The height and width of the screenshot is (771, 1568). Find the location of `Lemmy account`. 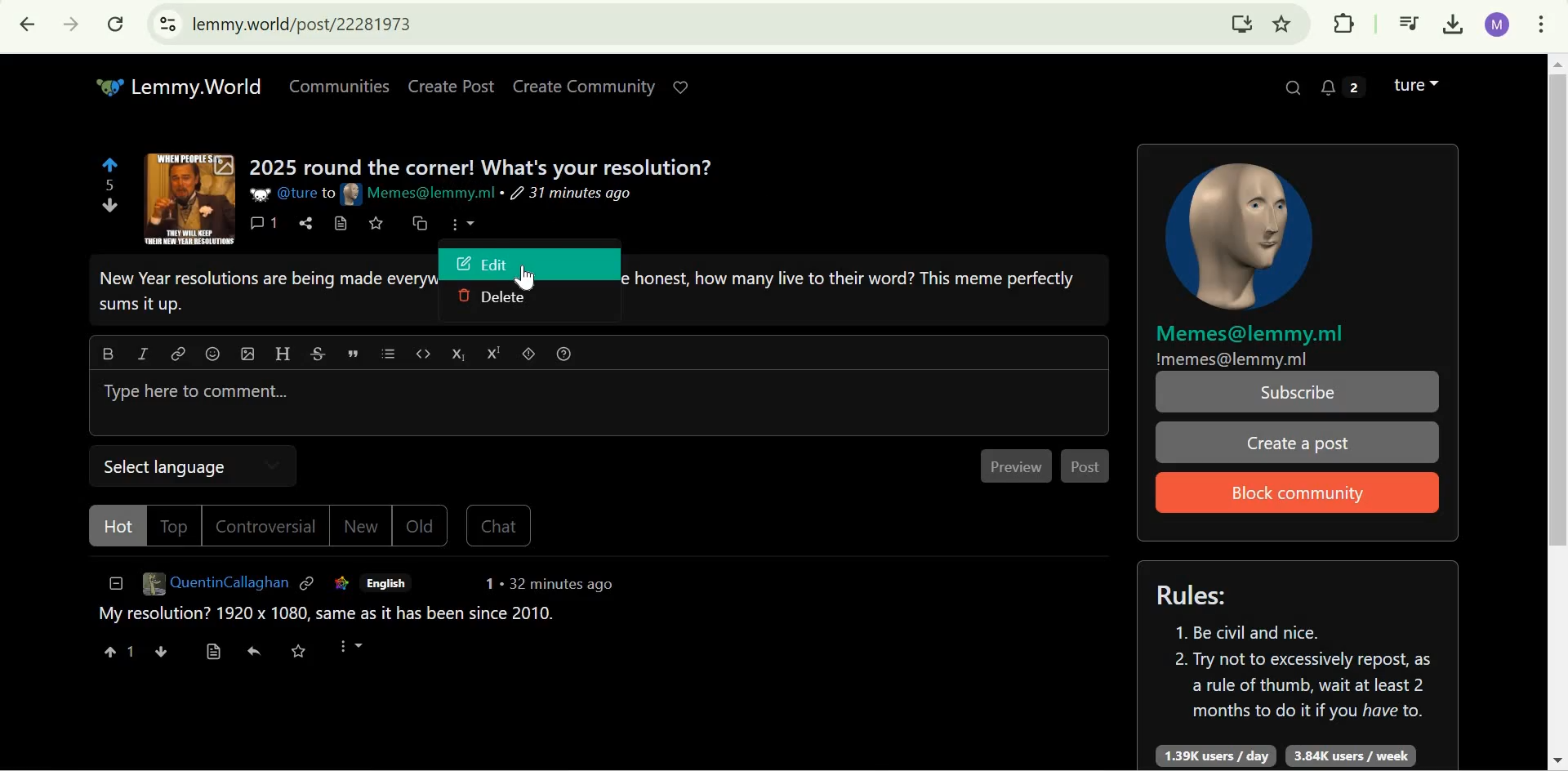

Lemmy account is located at coordinates (1416, 85).